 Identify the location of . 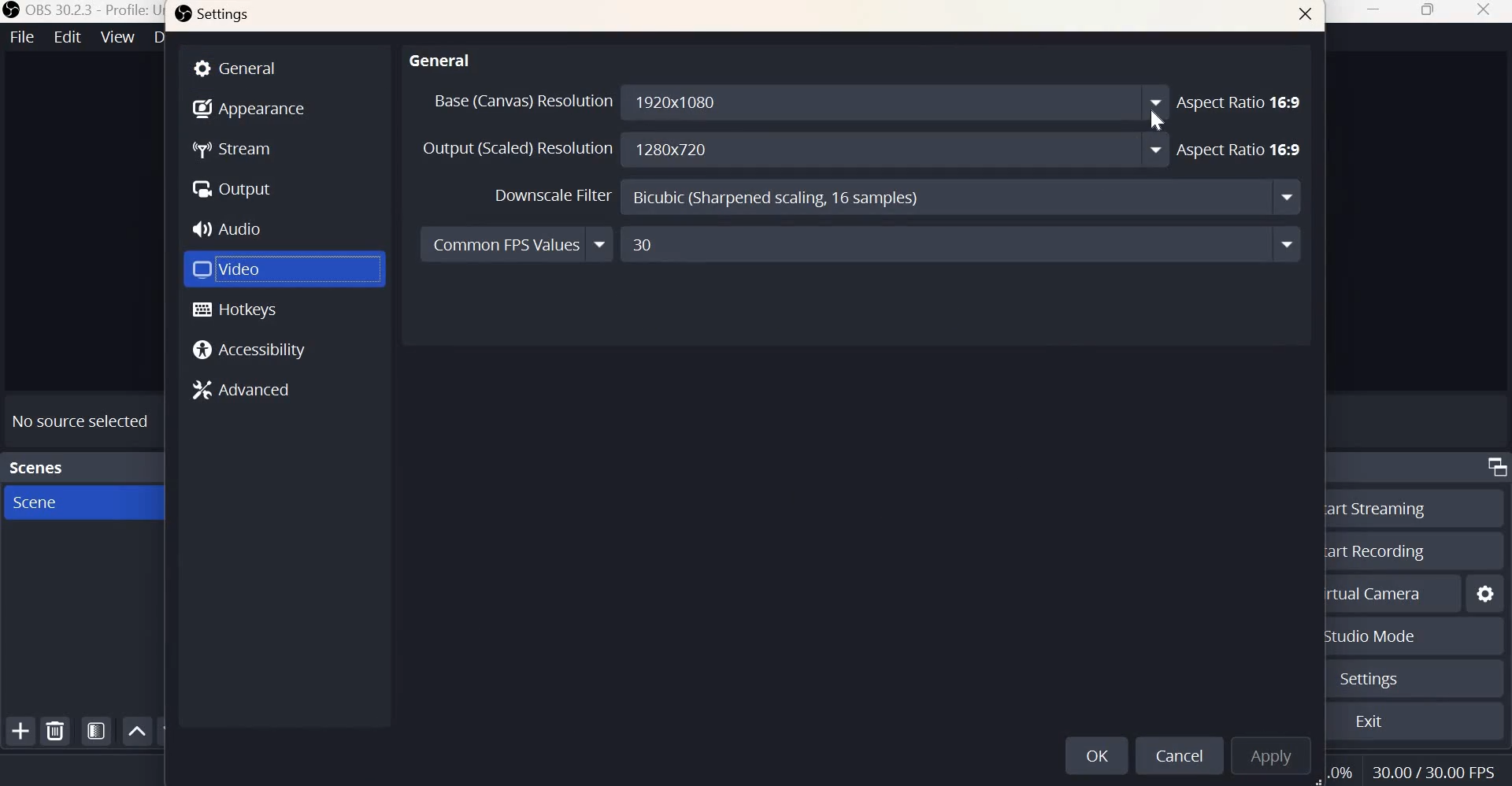
(961, 244).